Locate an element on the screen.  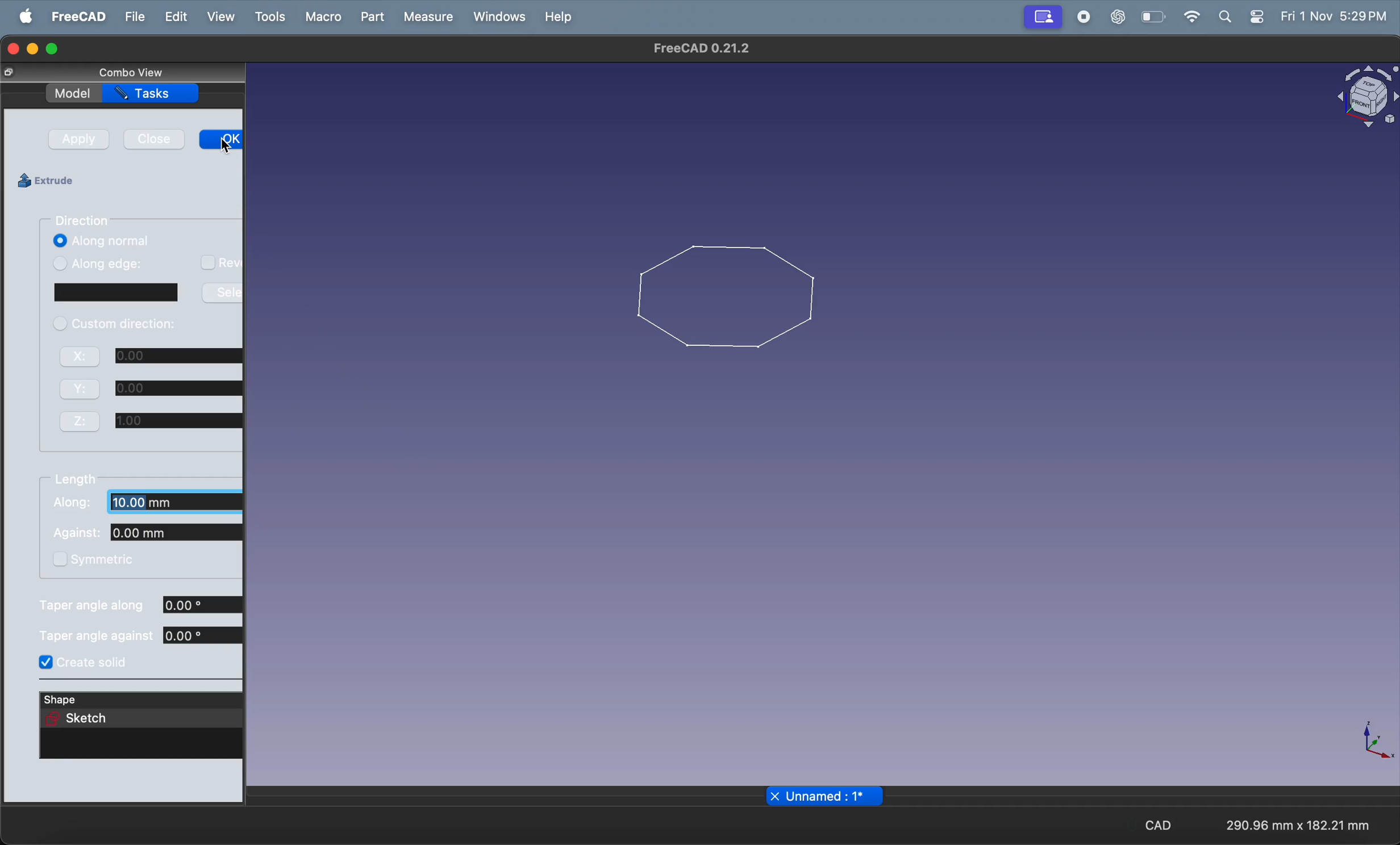
task is located at coordinates (152, 93).